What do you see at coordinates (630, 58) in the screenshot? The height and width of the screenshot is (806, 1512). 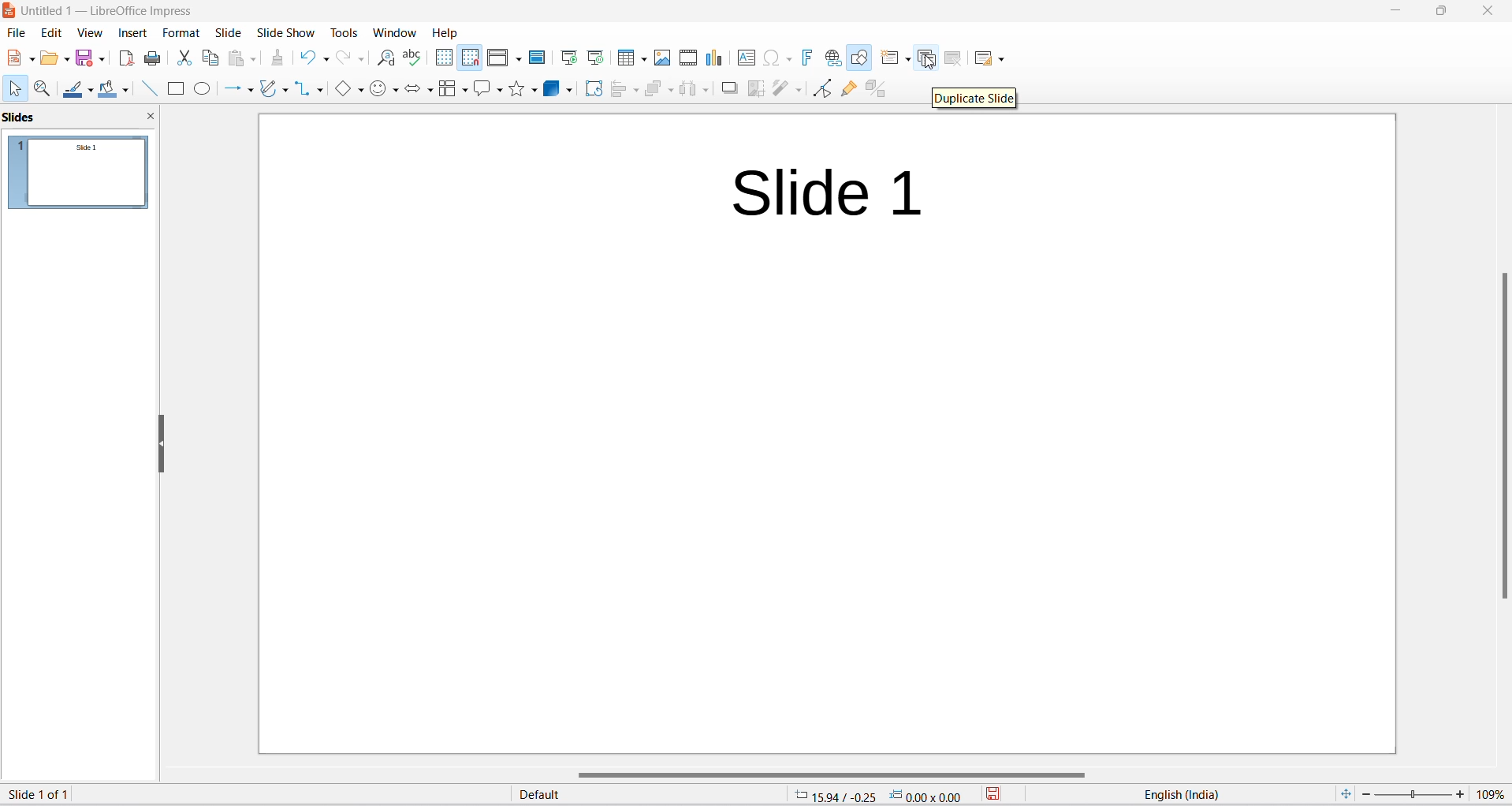 I see `insert table` at bounding box center [630, 58].